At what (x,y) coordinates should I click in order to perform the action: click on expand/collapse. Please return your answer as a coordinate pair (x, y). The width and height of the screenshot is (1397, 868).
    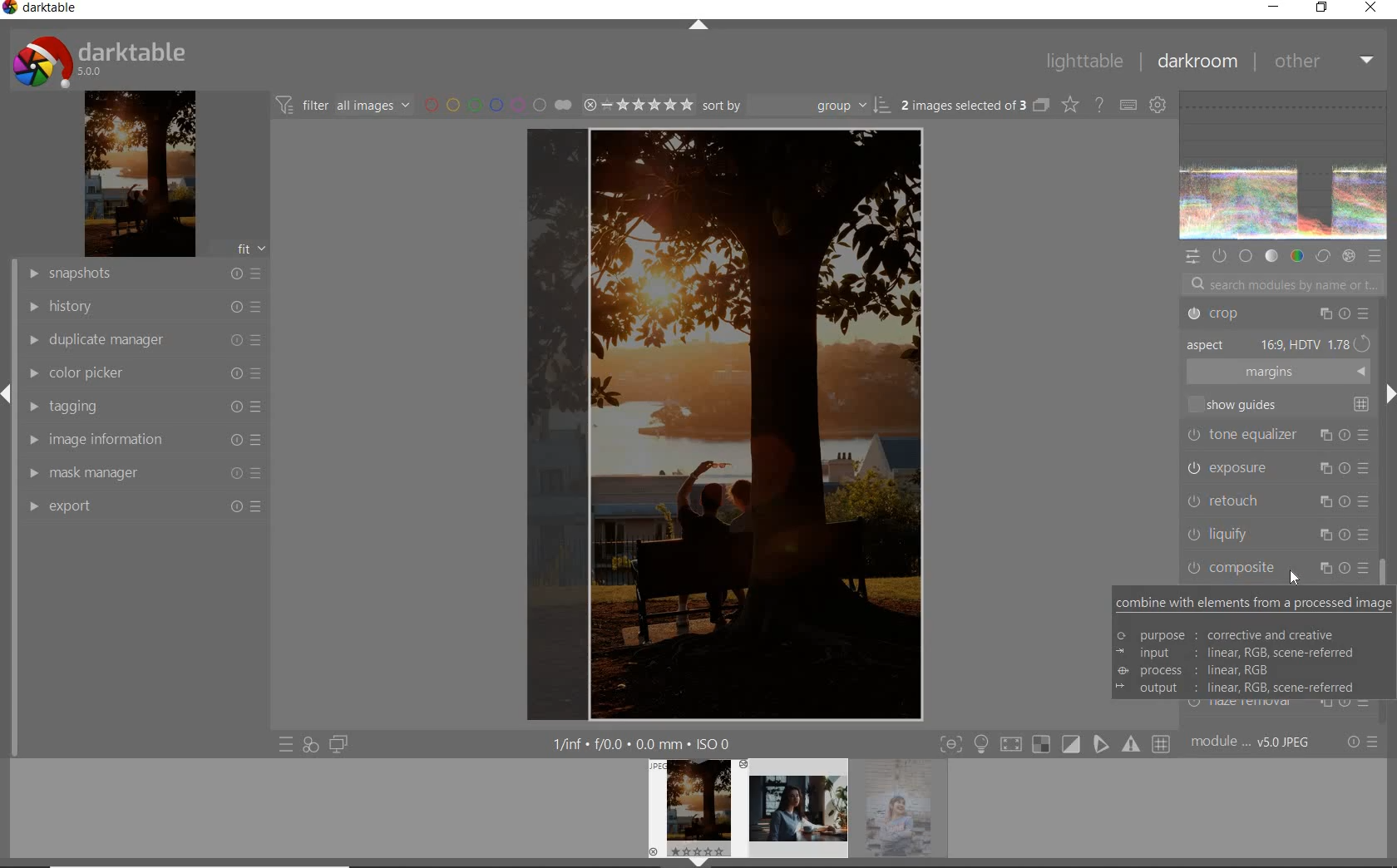
    Looking at the image, I should click on (1389, 394).